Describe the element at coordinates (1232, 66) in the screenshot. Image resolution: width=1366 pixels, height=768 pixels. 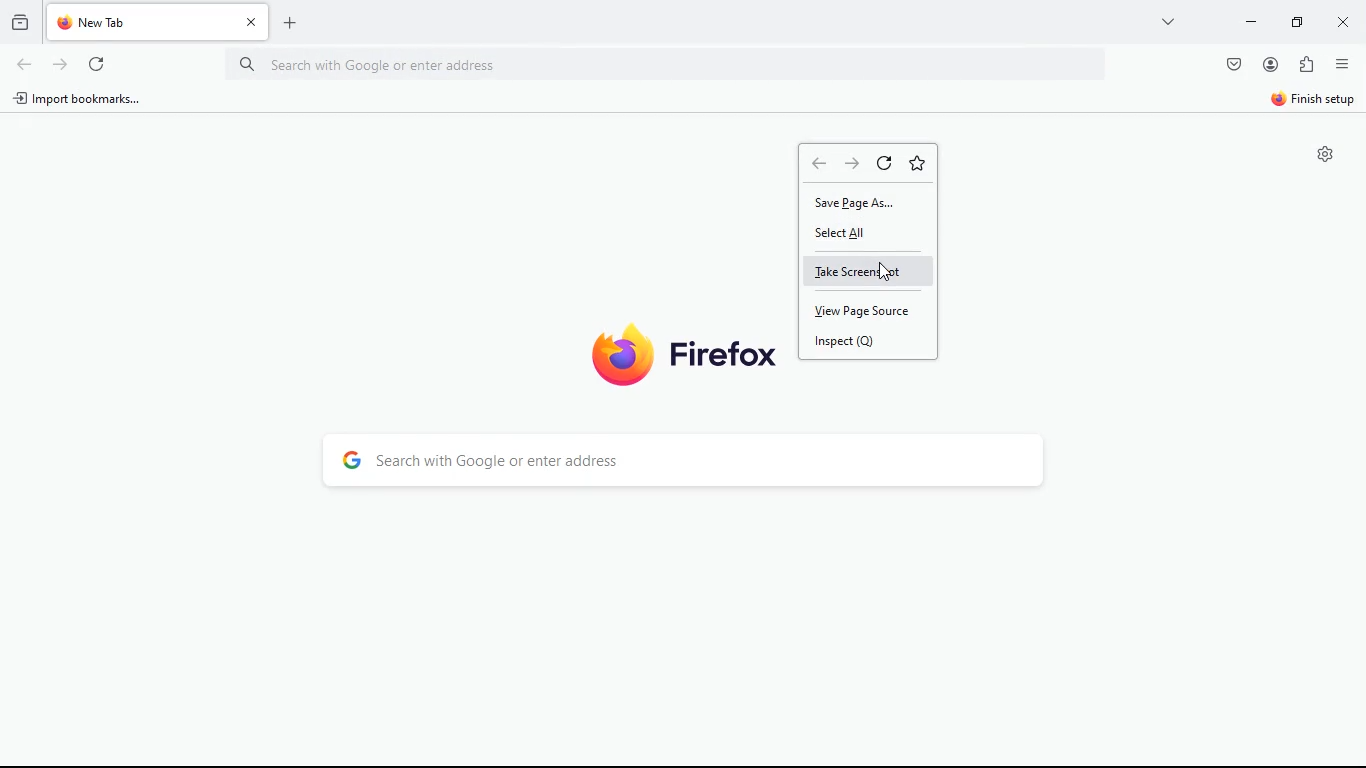
I see `pocket` at that location.